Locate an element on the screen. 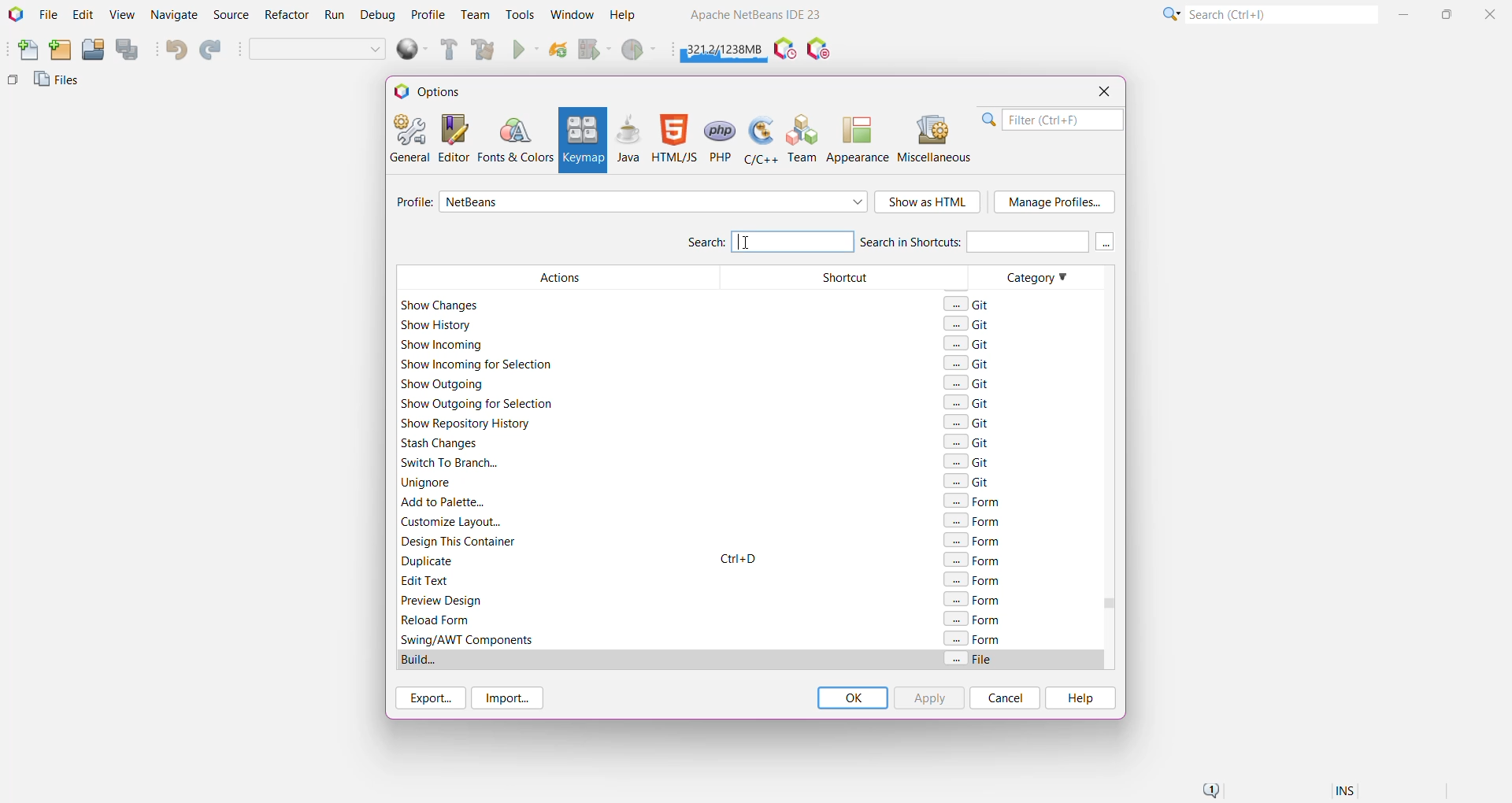 Image resolution: width=1512 pixels, height=803 pixels. Show as HTML is located at coordinates (928, 203).